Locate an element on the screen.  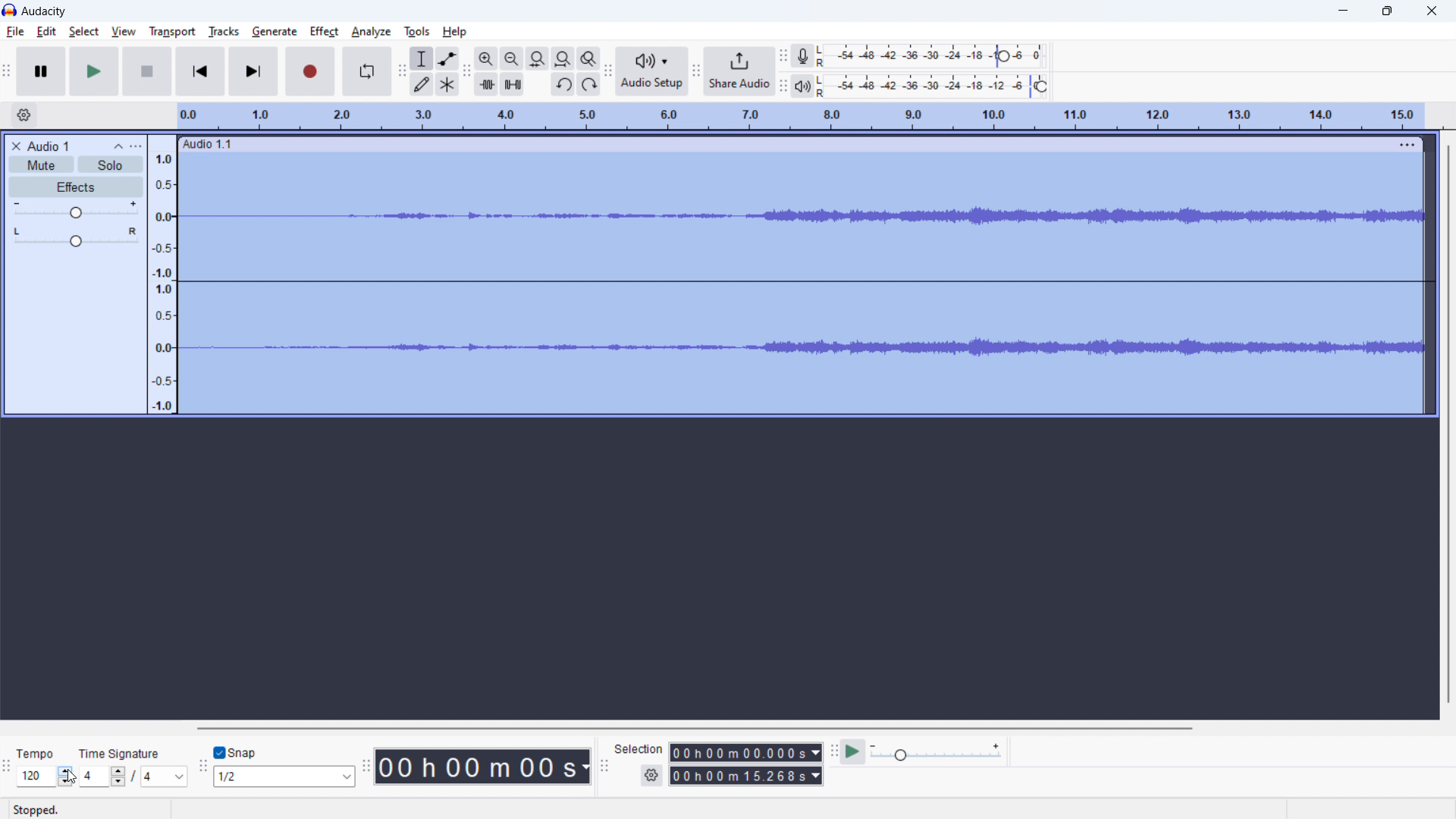
settings is located at coordinates (651, 776).